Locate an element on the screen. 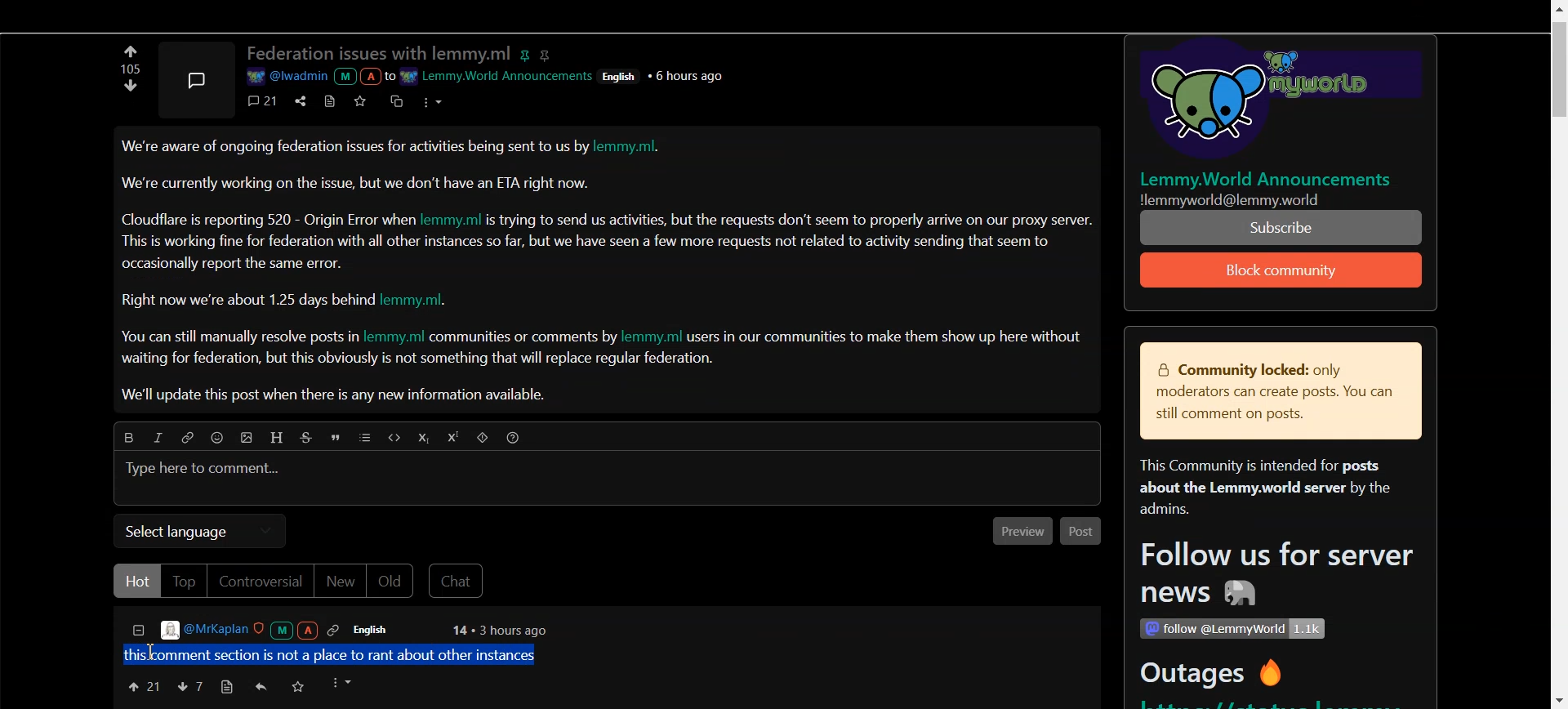 Image resolution: width=1568 pixels, height=709 pixels. Code is located at coordinates (392, 437).